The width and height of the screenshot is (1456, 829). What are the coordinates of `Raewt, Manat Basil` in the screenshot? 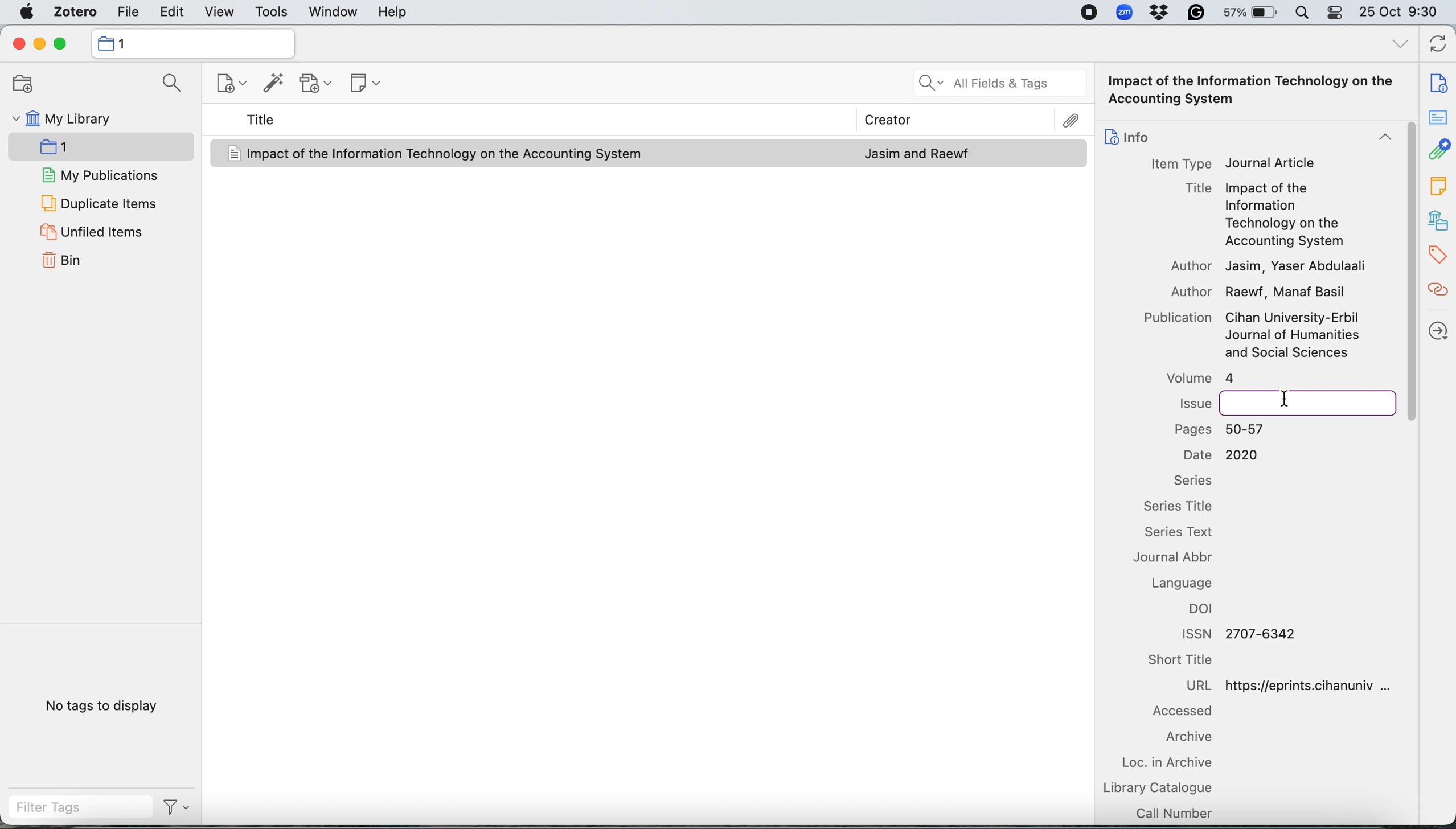 It's located at (1287, 294).